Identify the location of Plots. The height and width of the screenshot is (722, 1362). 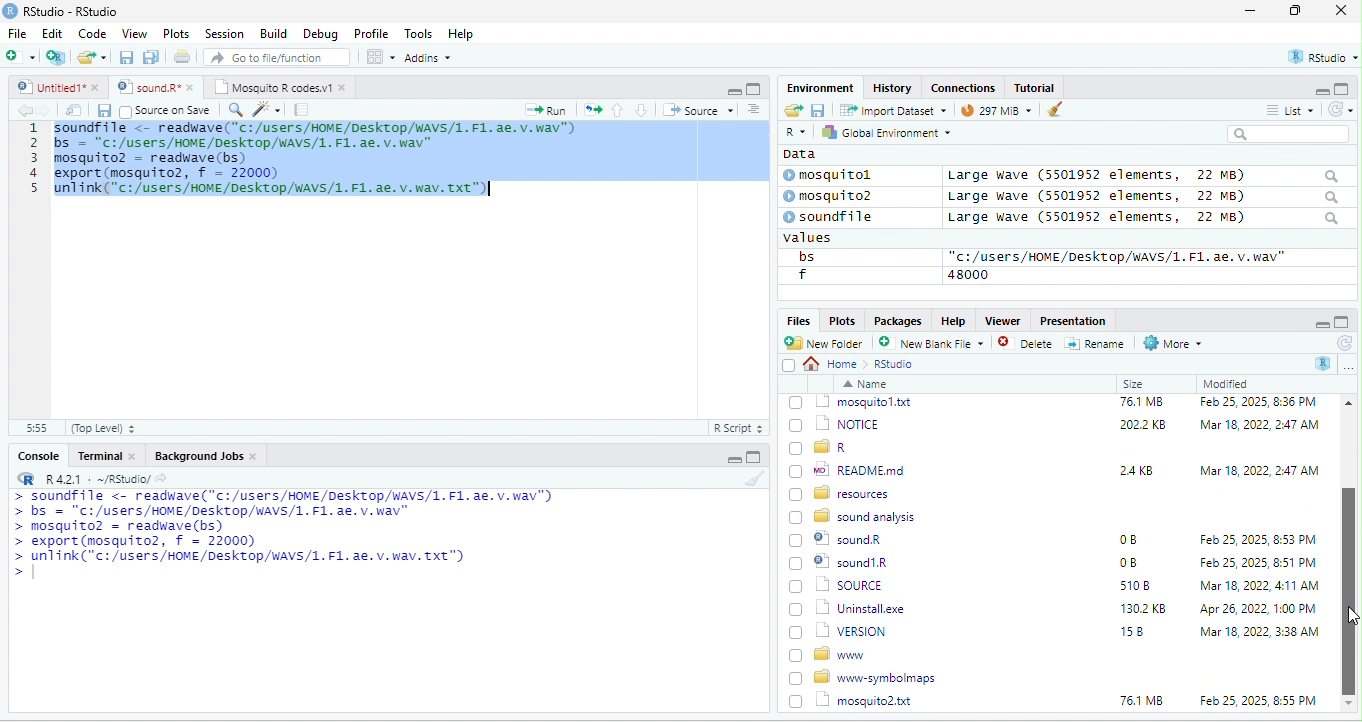
(177, 33).